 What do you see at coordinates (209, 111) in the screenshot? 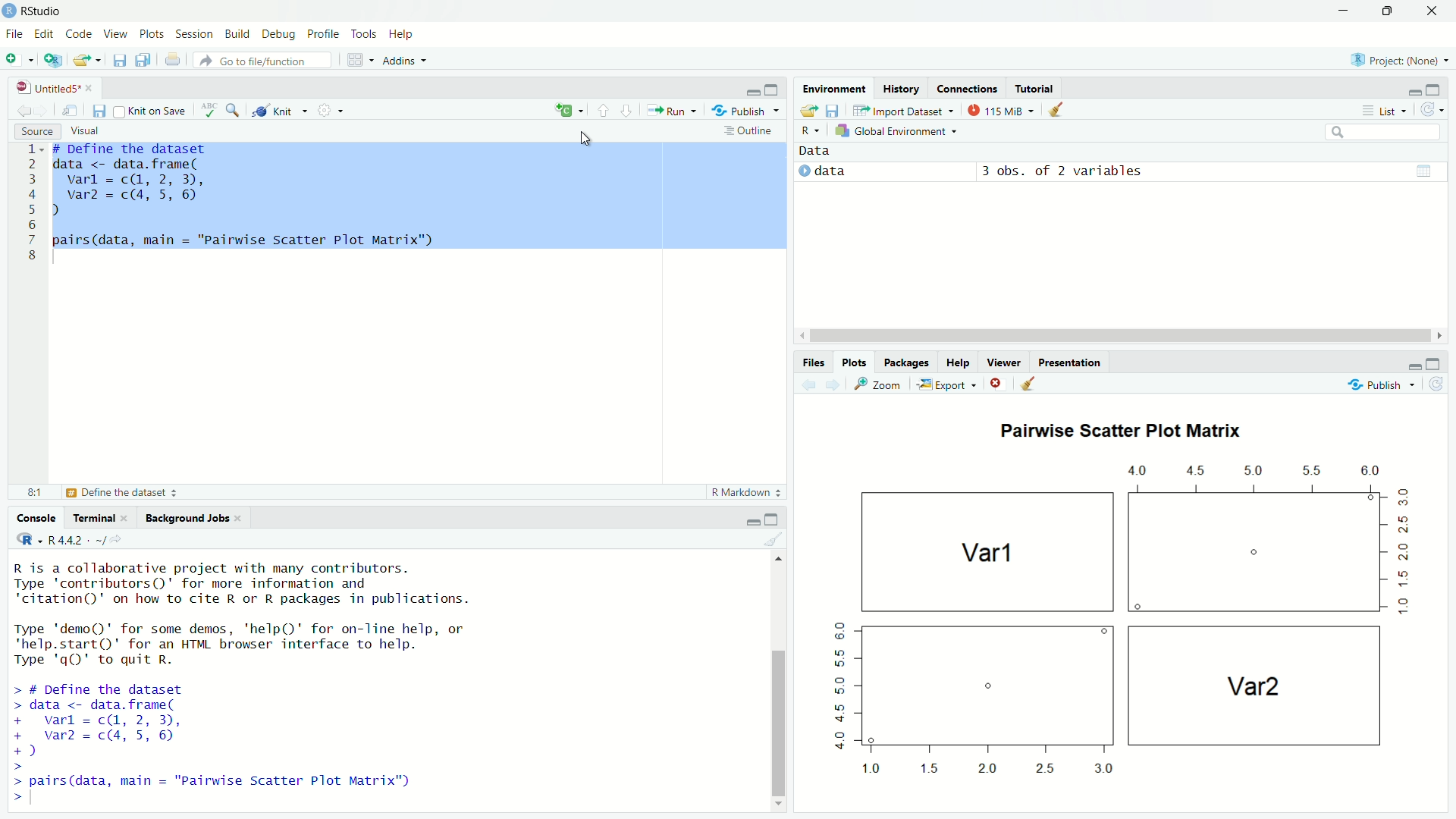
I see `Spell check` at bounding box center [209, 111].